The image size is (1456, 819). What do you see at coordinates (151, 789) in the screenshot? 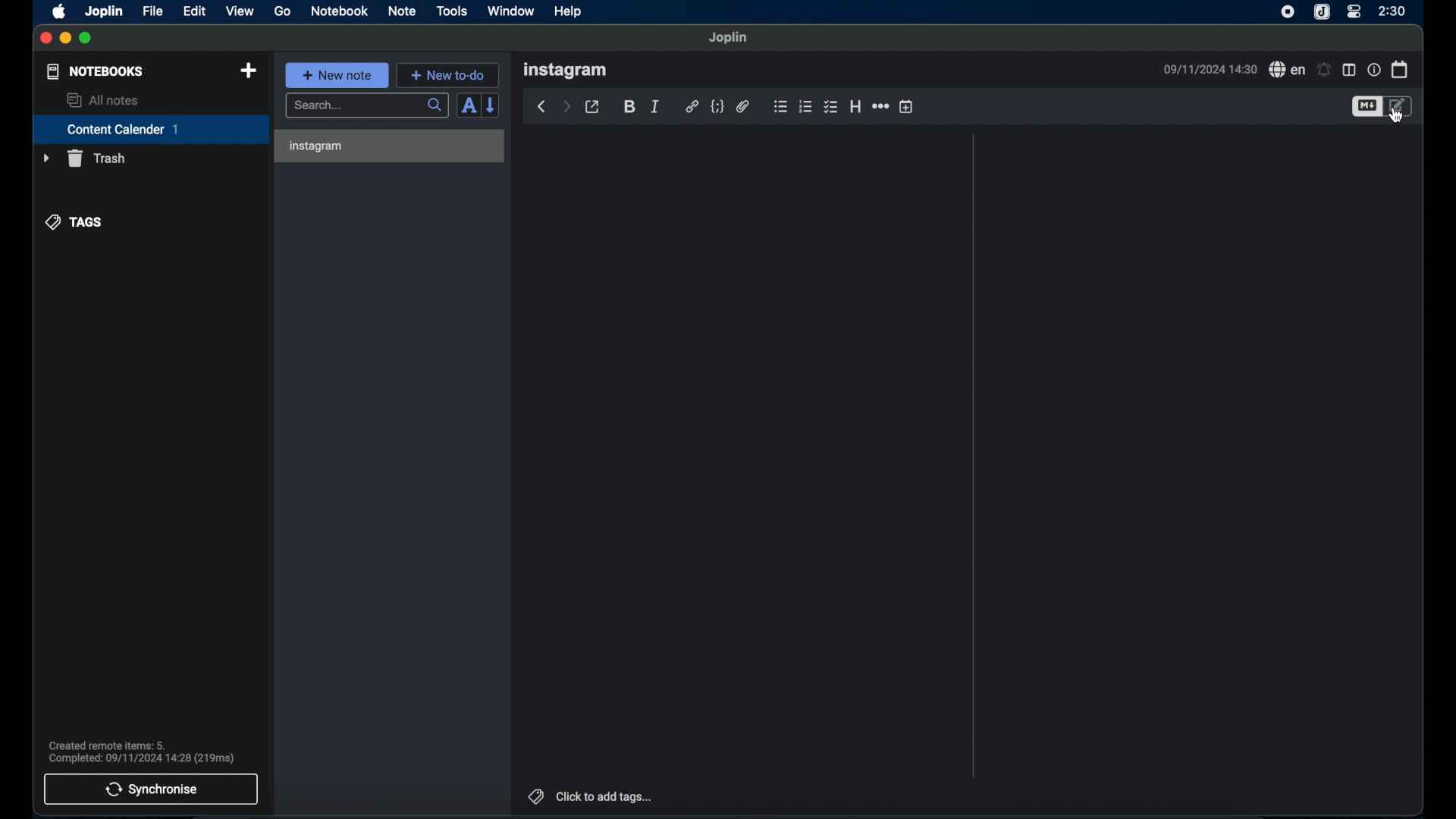
I see `synchronise` at bounding box center [151, 789].